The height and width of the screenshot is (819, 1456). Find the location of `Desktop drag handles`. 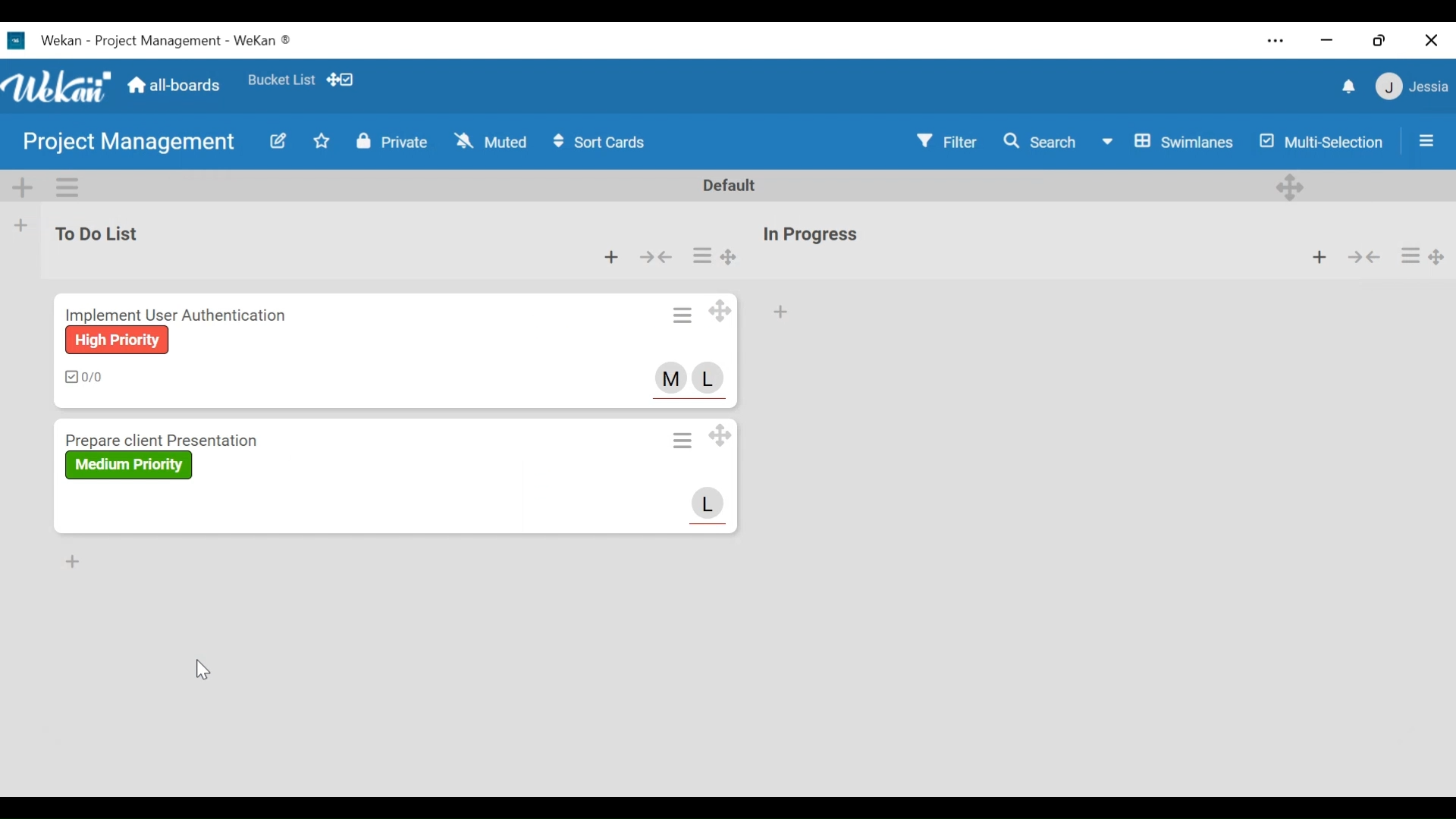

Desktop drag handles is located at coordinates (1289, 187).